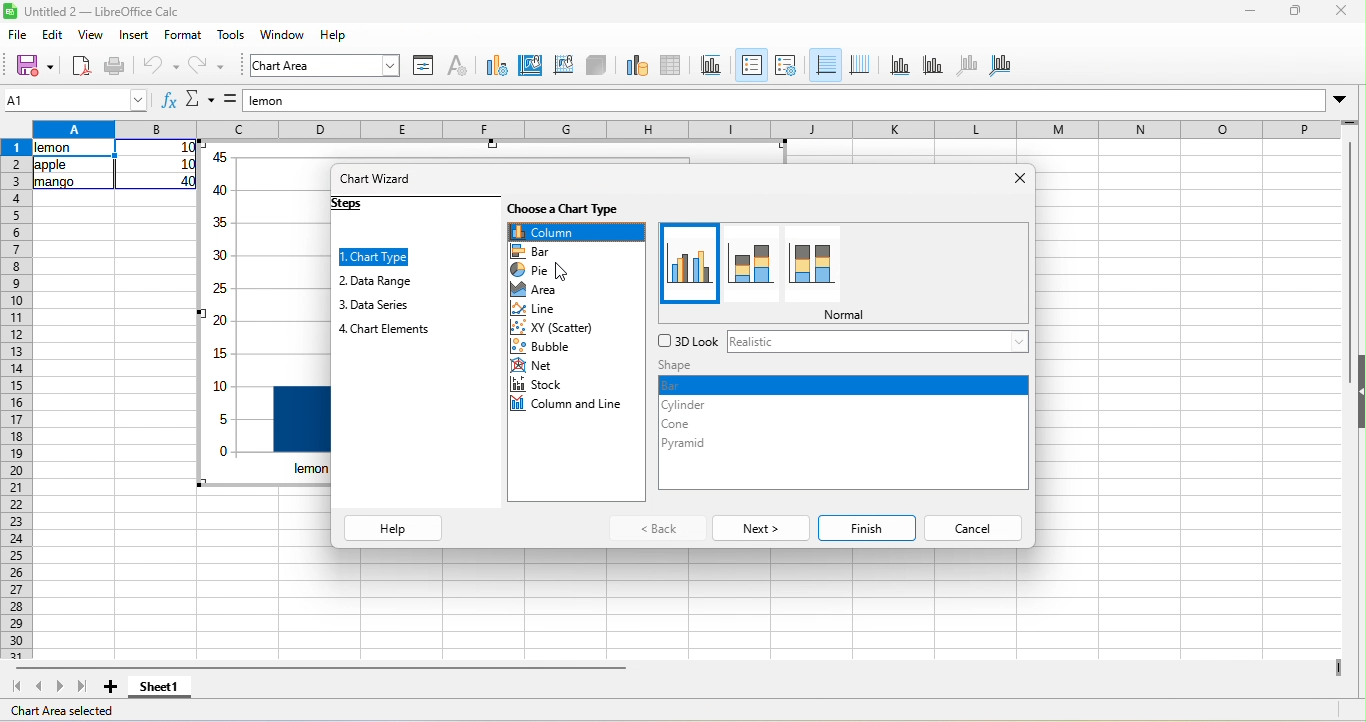  Describe the element at coordinates (686, 405) in the screenshot. I see `cylinder` at that location.